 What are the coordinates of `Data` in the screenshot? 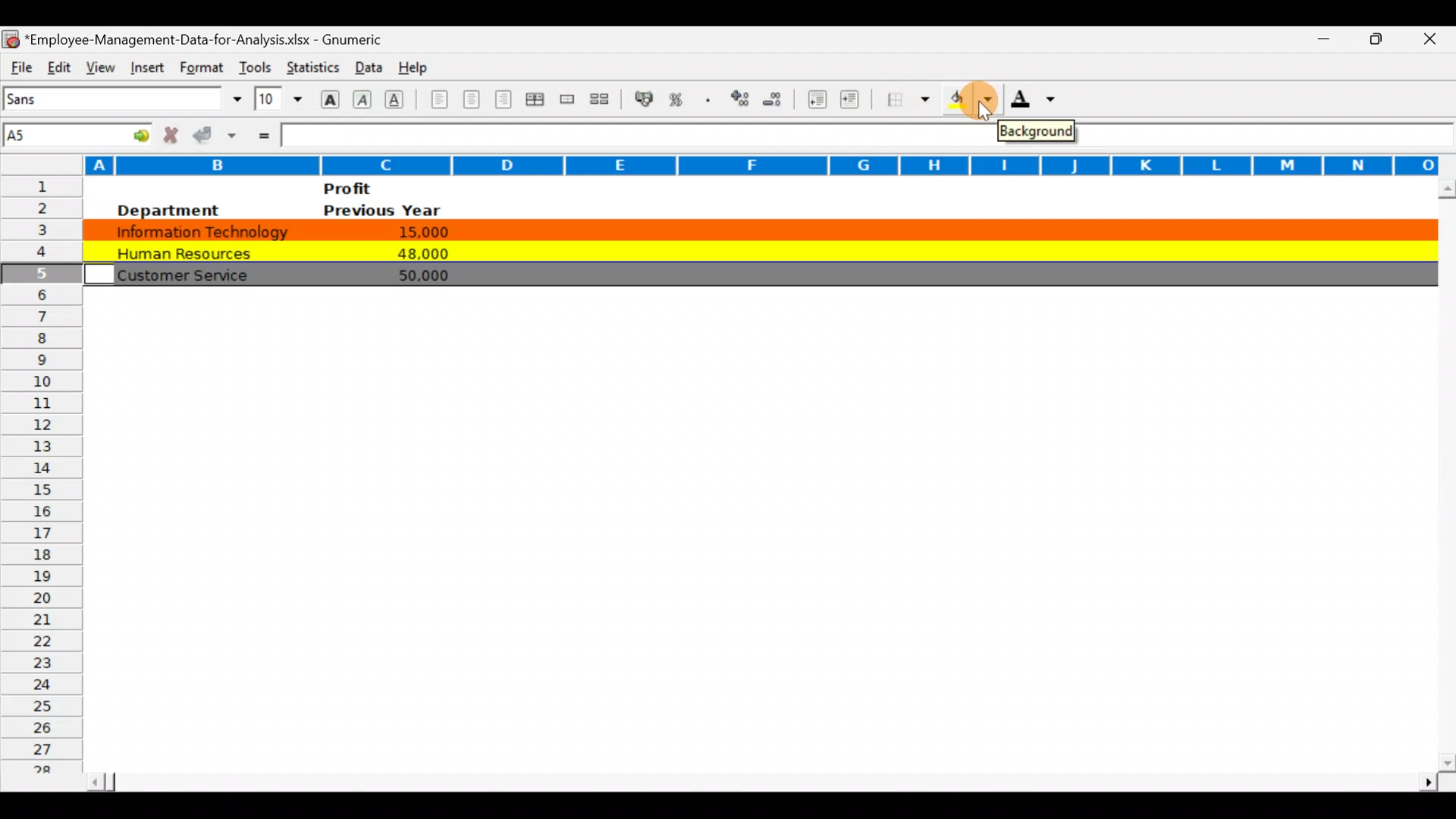 It's located at (365, 64).